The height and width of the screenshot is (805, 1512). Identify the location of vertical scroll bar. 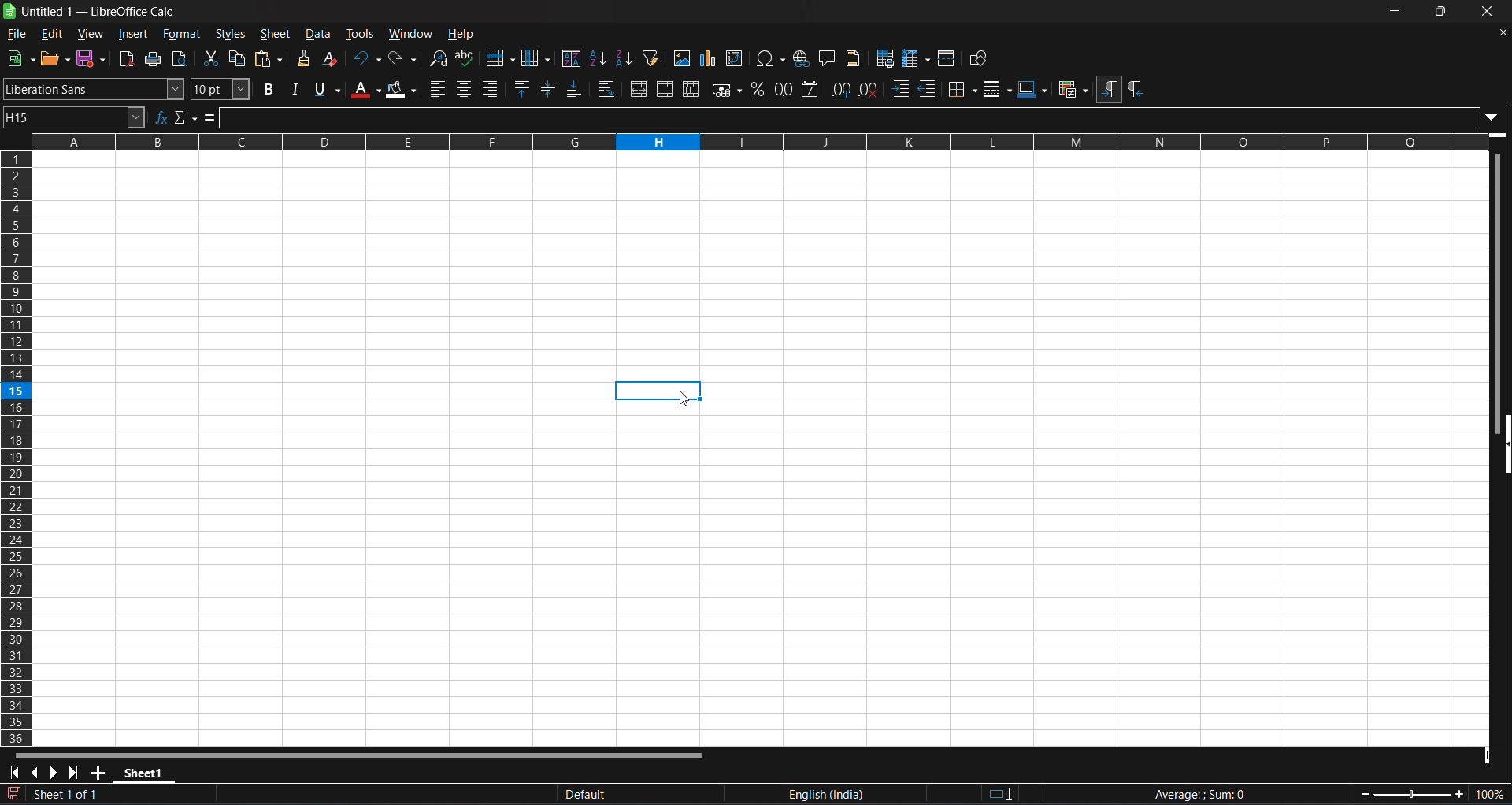
(1495, 280).